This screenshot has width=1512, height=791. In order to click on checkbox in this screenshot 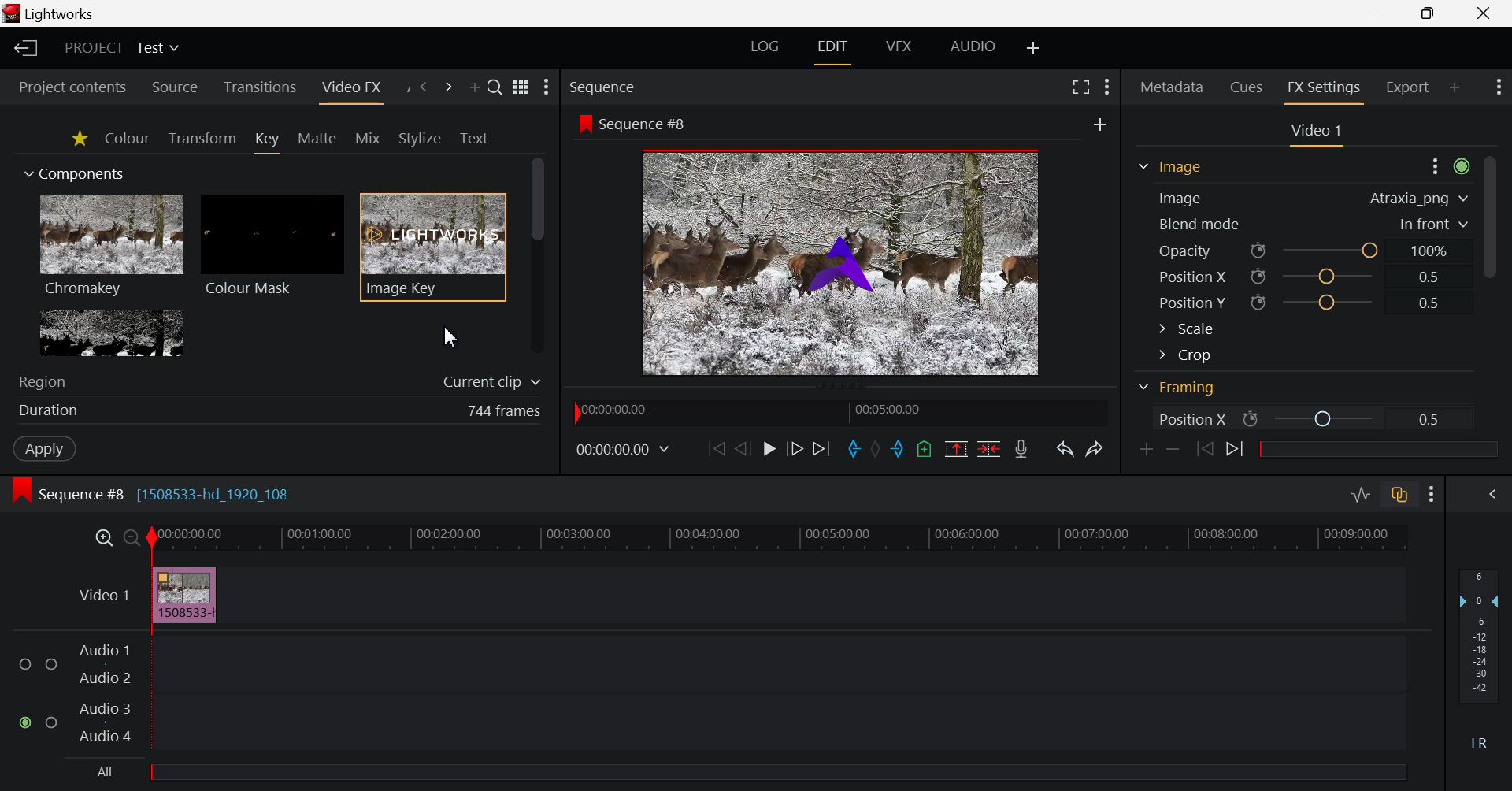, I will do `click(51, 722)`.